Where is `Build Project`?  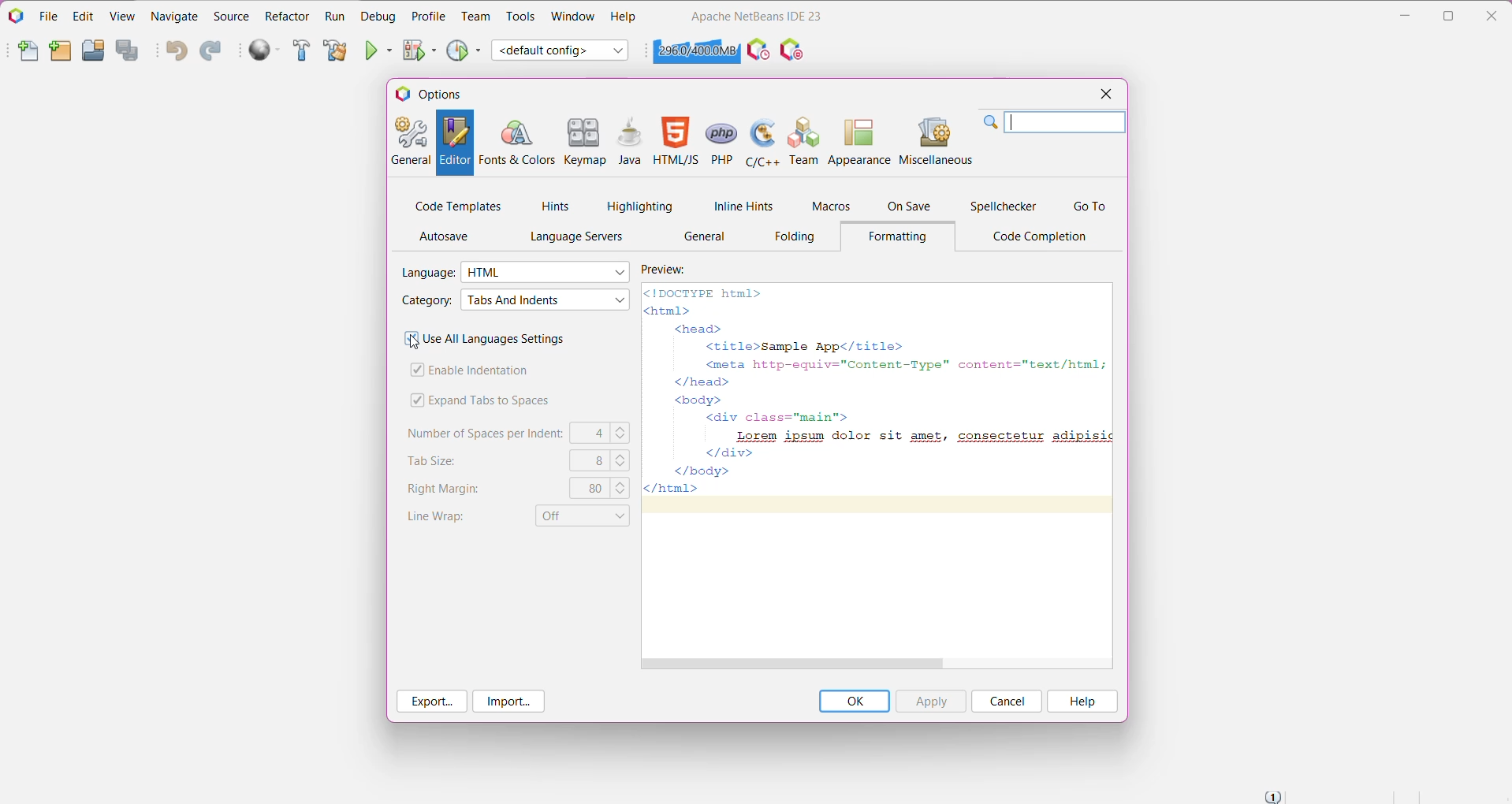 Build Project is located at coordinates (302, 51).